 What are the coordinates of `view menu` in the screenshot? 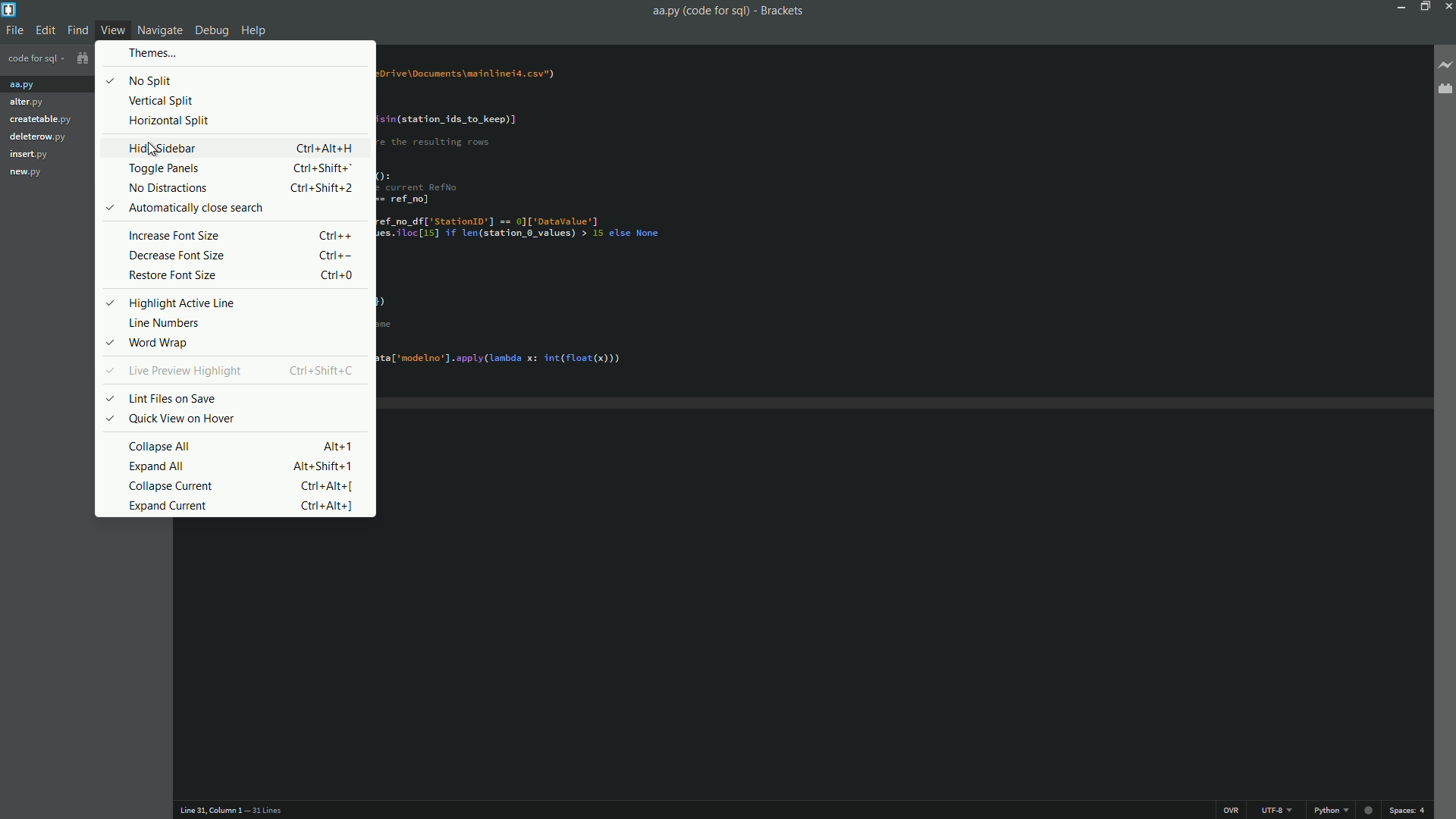 It's located at (115, 30).